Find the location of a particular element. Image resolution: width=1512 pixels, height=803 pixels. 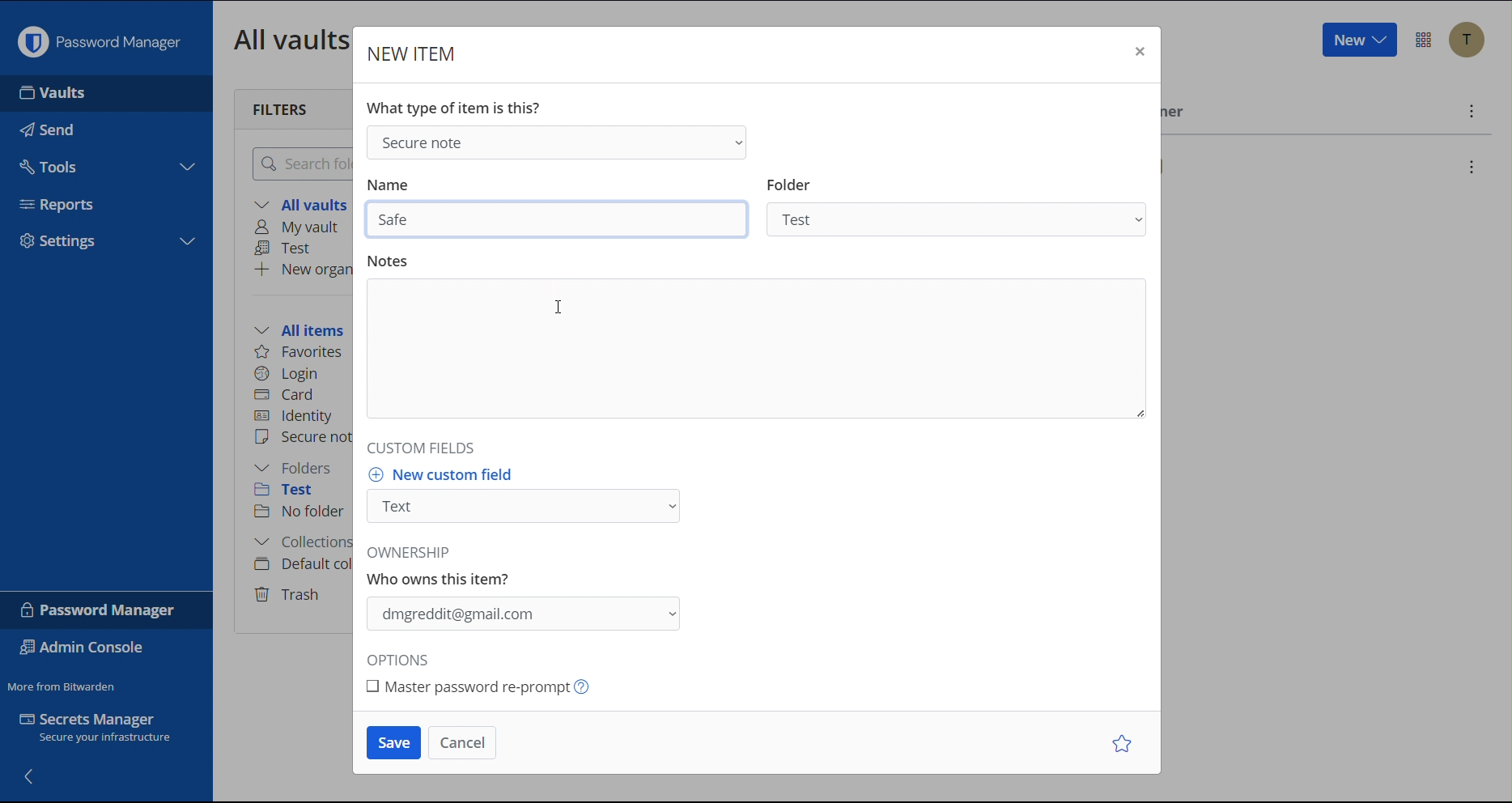

new custom field is located at coordinates (445, 474).